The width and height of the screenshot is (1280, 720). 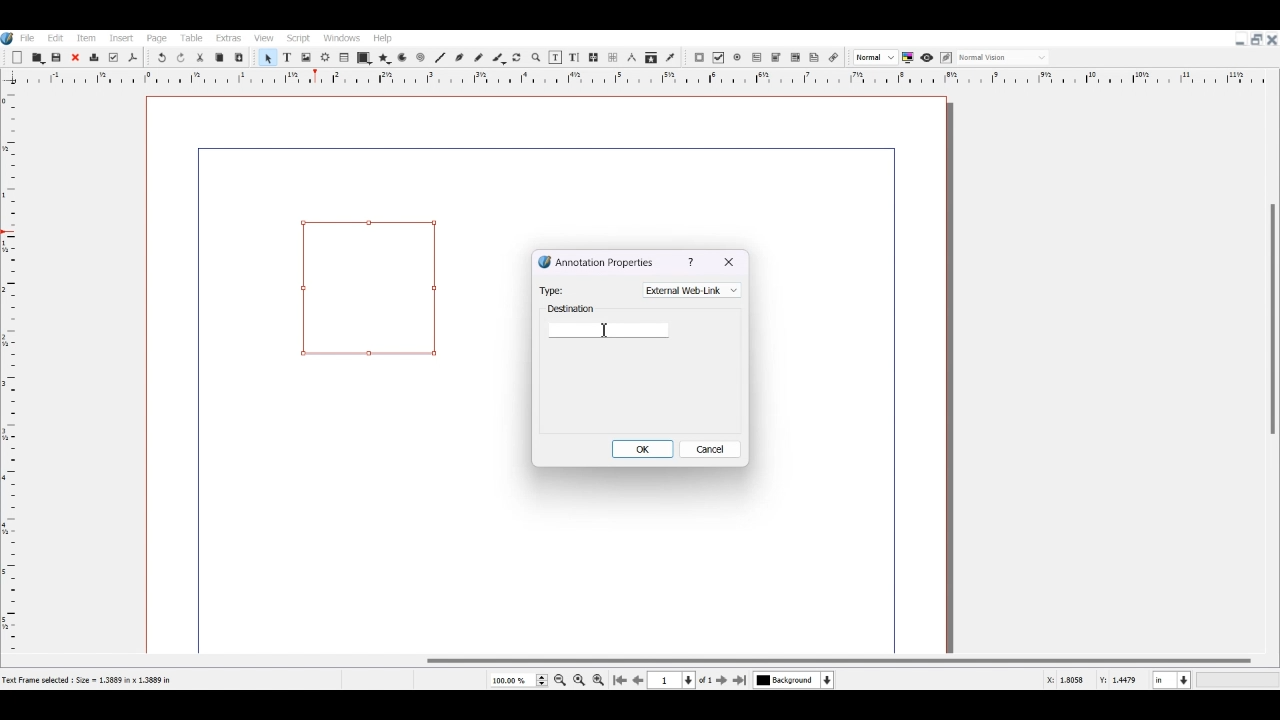 I want to click on UnLink text Frame, so click(x=613, y=58).